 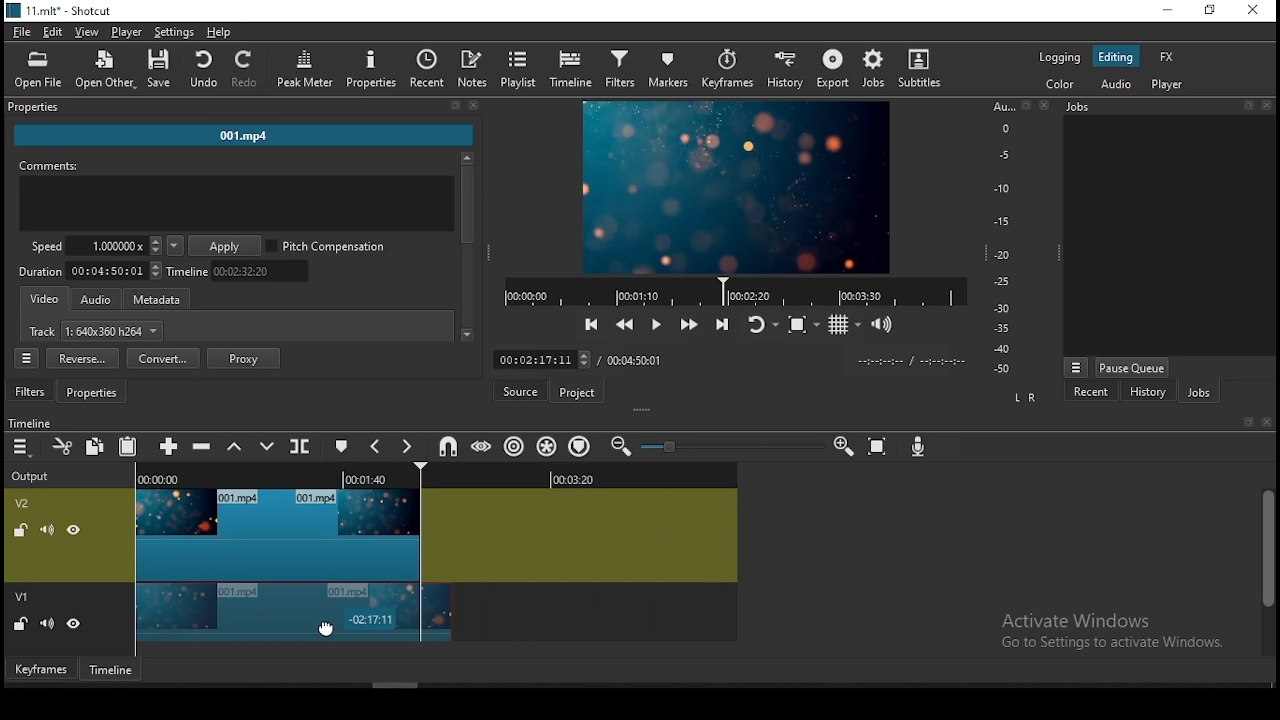 What do you see at coordinates (523, 391) in the screenshot?
I see `source` at bounding box center [523, 391].